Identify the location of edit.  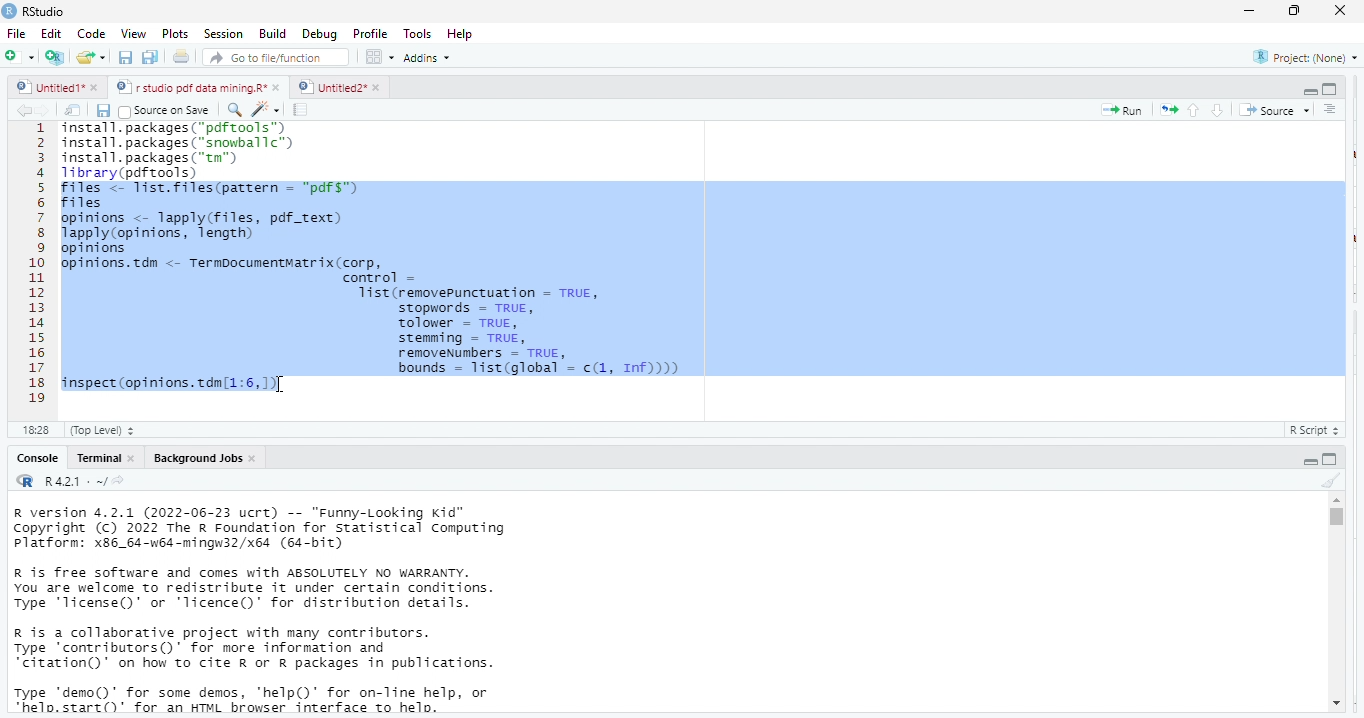
(51, 34).